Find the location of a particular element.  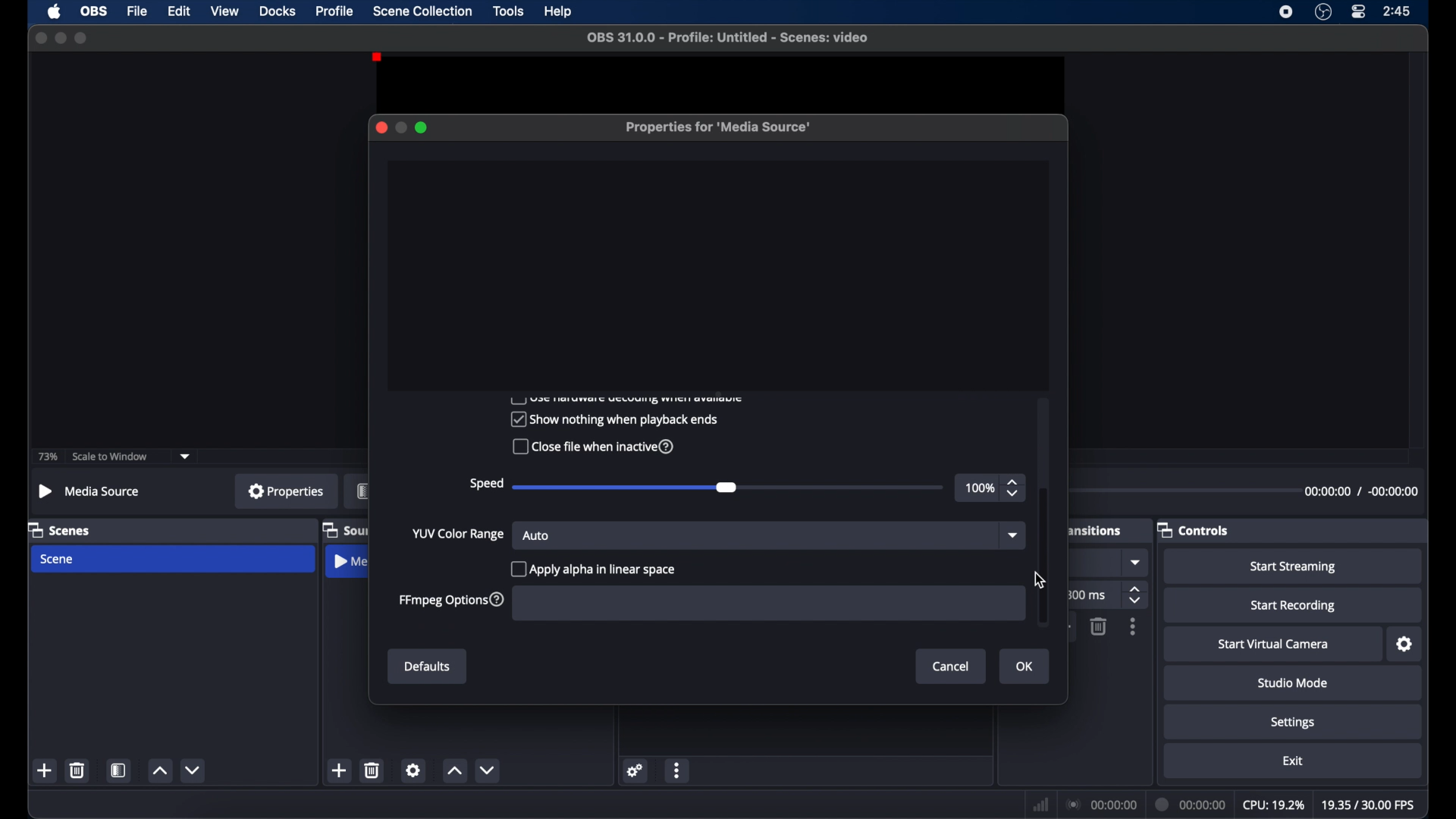

tools is located at coordinates (509, 11).